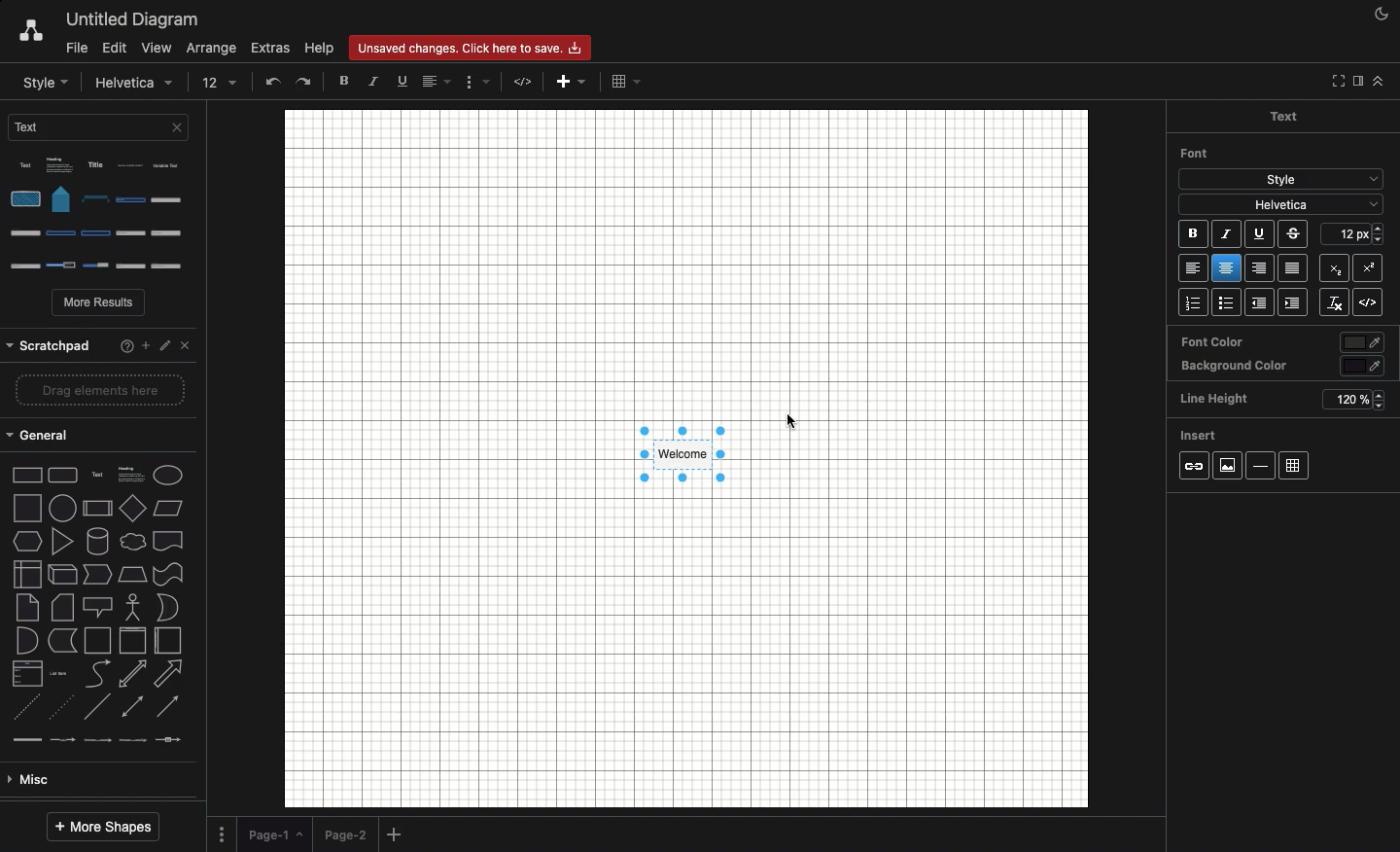 The image size is (1400, 852). What do you see at coordinates (99, 397) in the screenshot?
I see `2d shapes` at bounding box center [99, 397].